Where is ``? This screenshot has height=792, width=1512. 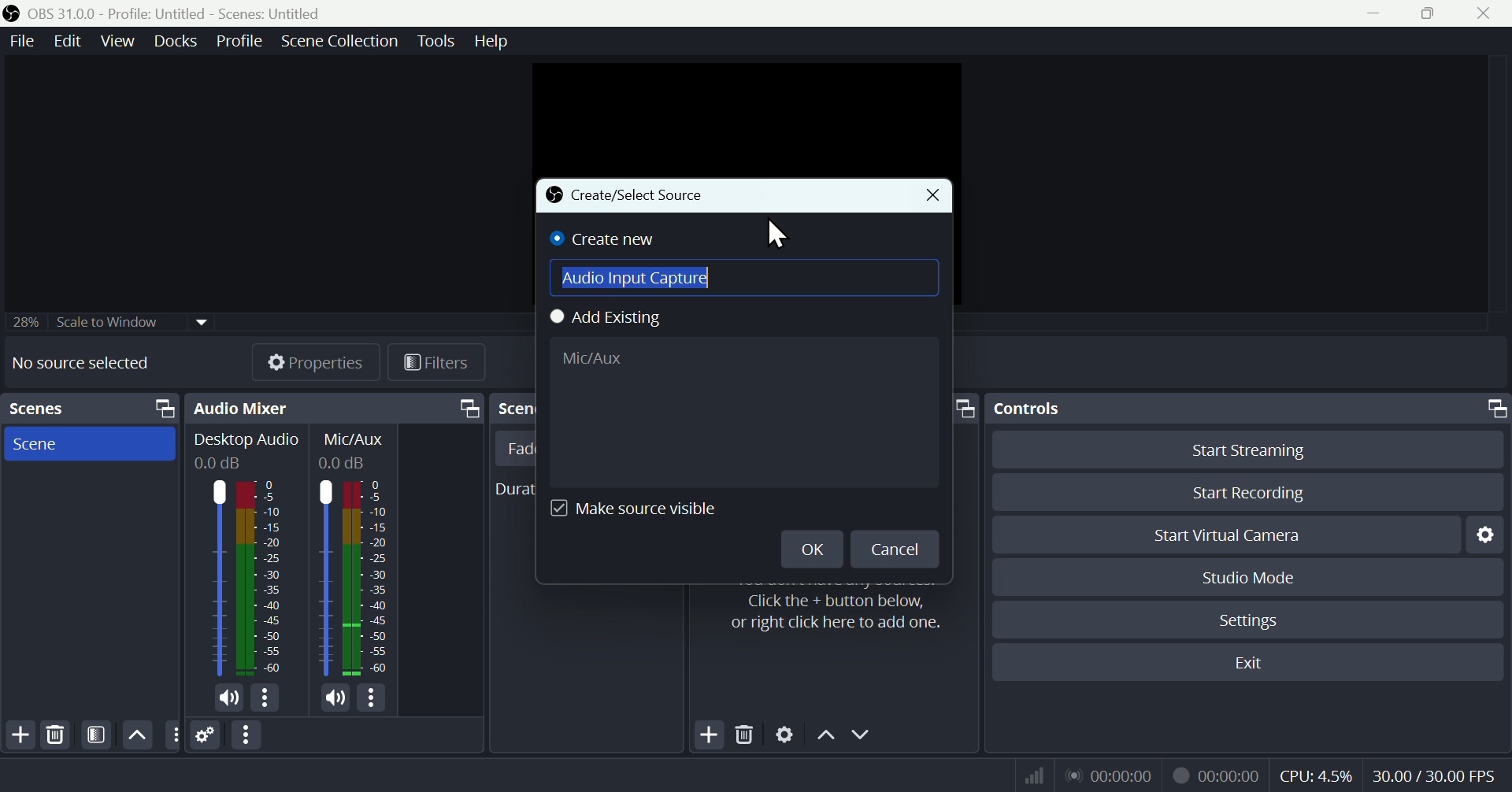  is located at coordinates (172, 735).